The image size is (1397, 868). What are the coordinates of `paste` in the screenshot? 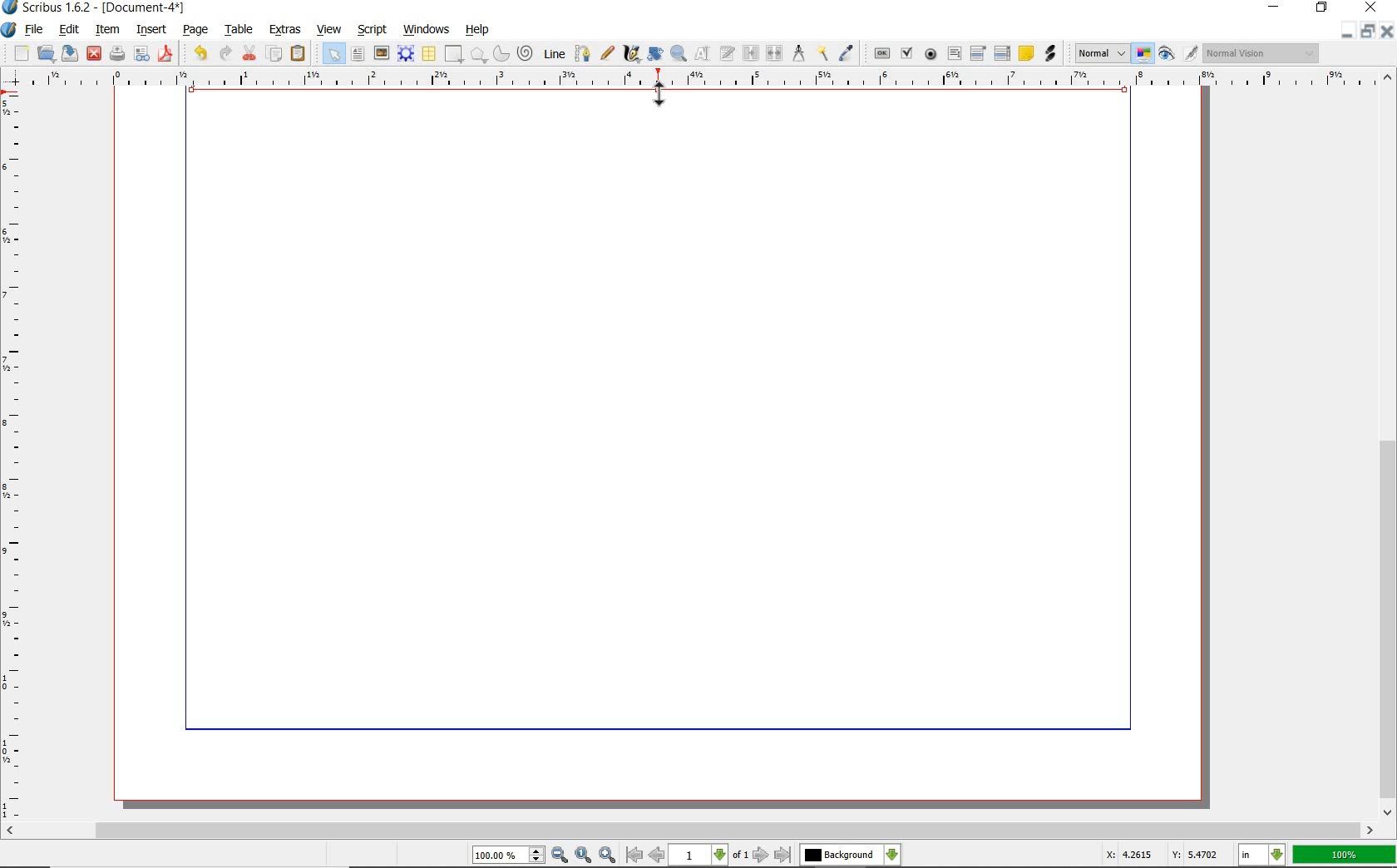 It's located at (298, 54).